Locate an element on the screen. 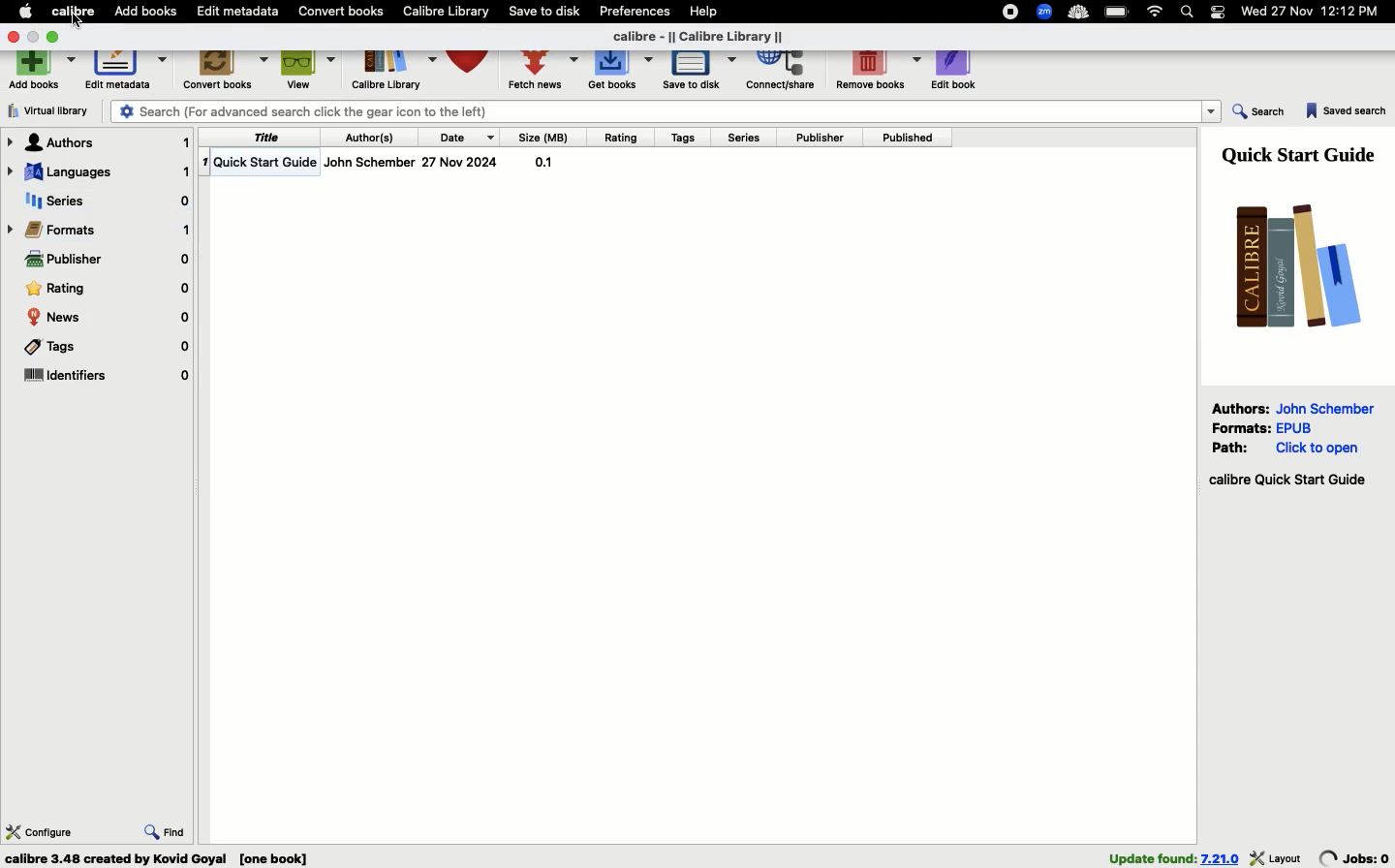  dropdown is located at coordinates (1213, 112).